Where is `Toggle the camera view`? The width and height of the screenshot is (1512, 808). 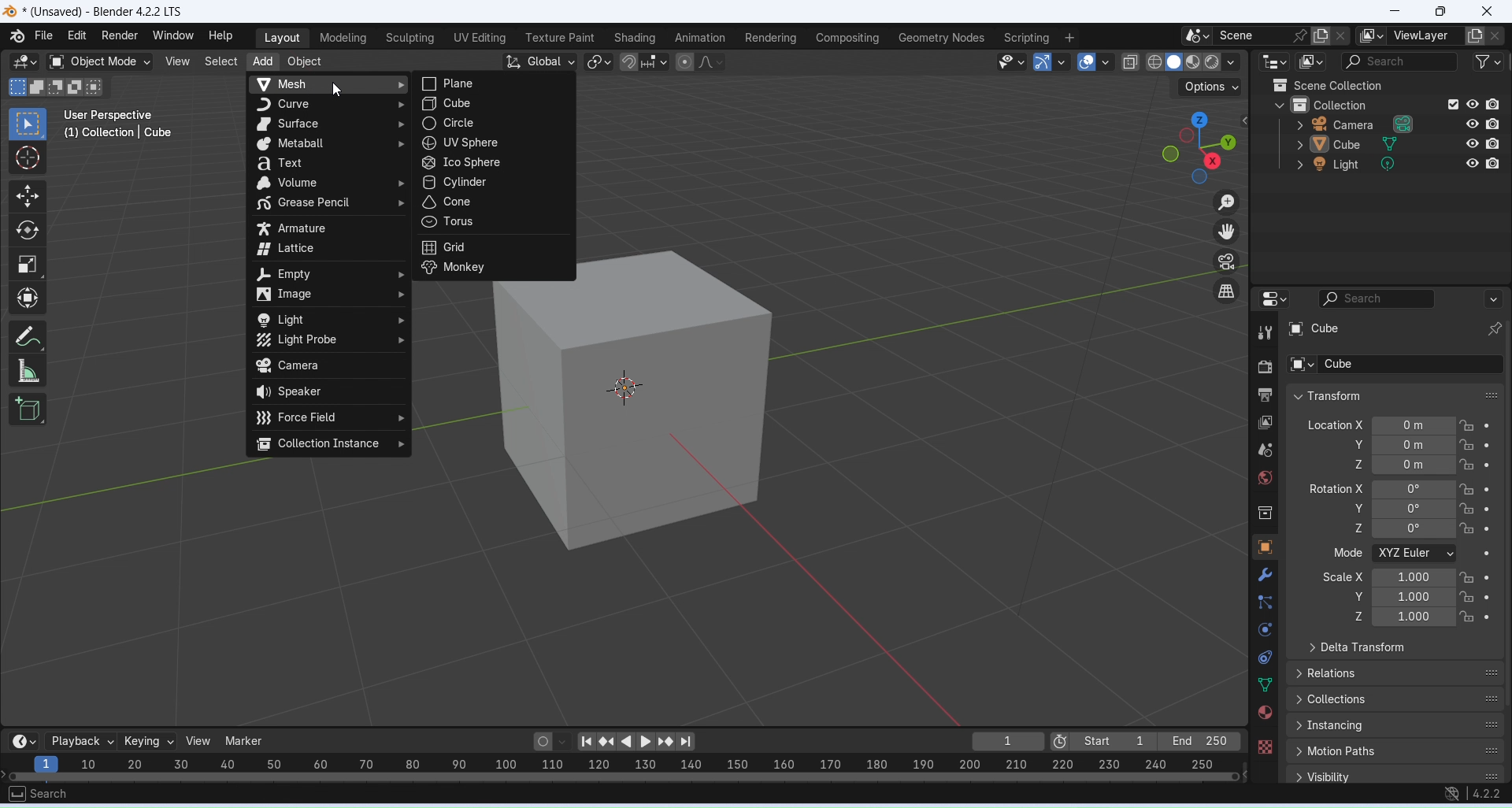
Toggle the camera view is located at coordinates (1227, 261).